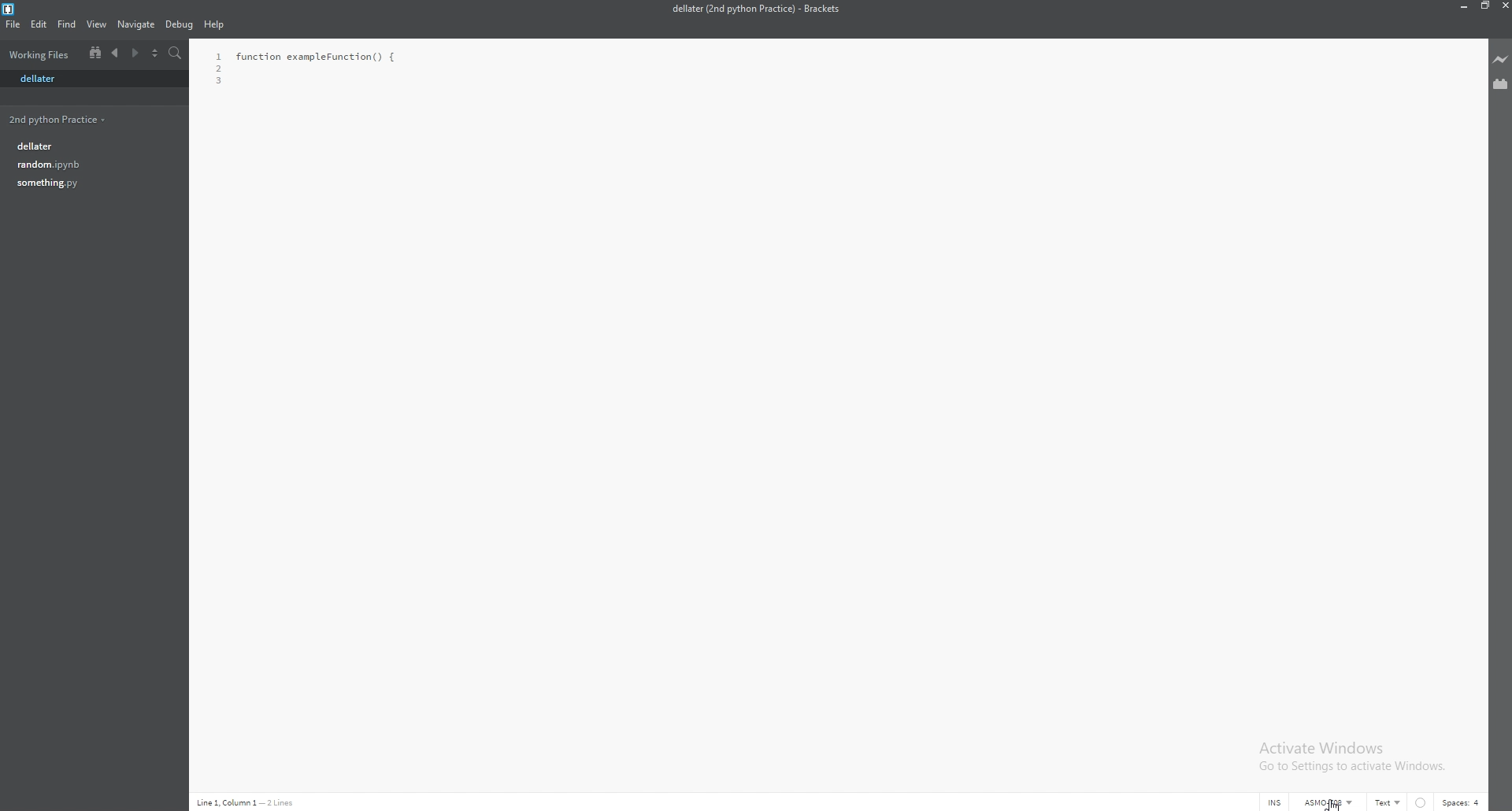 This screenshot has width=1512, height=811. What do you see at coordinates (1462, 6) in the screenshot?
I see `minimize` at bounding box center [1462, 6].